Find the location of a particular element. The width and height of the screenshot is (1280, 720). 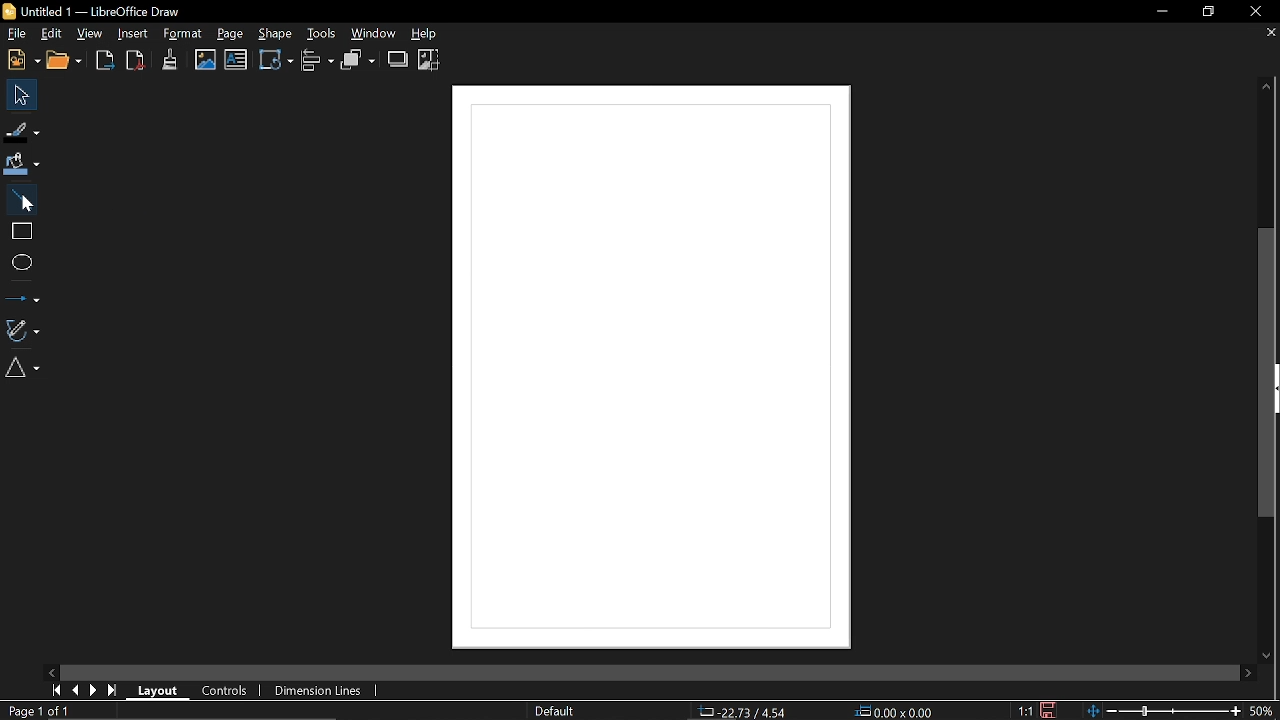

transformation is located at coordinates (274, 62).